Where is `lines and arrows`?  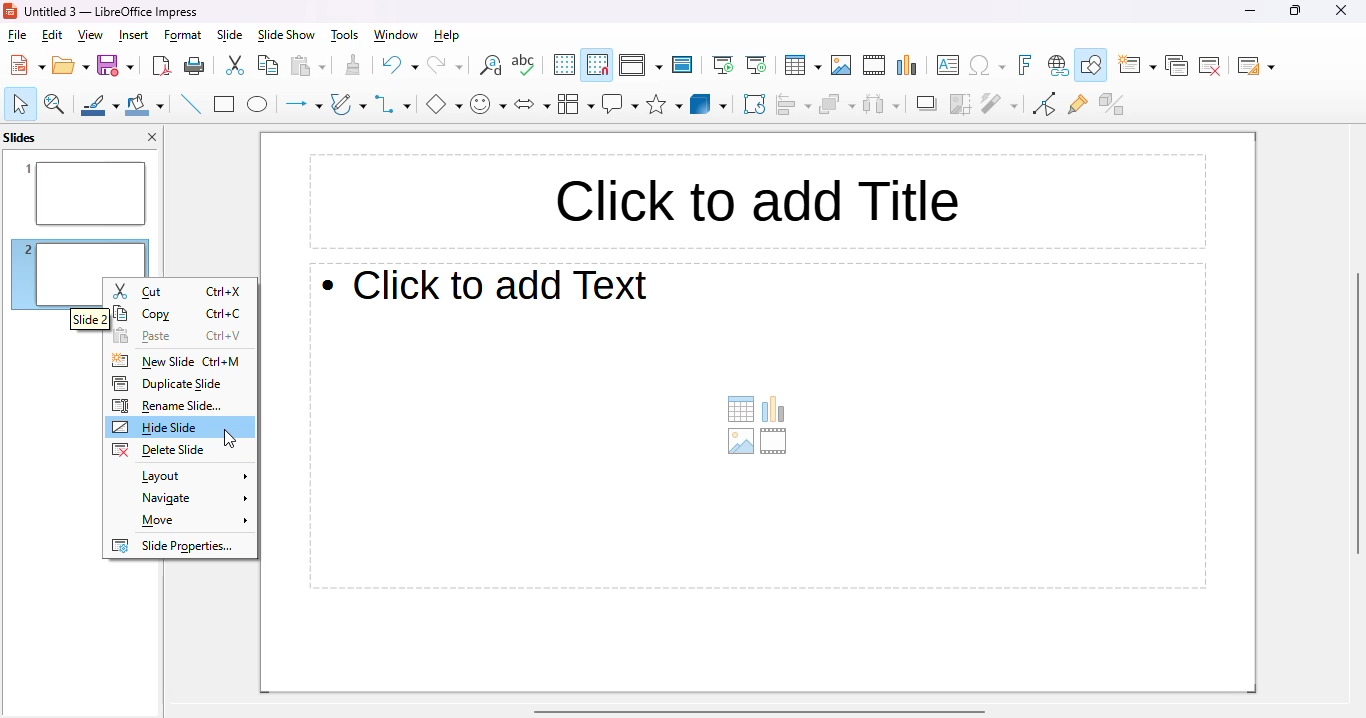
lines and arrows is located at coordinates (303, 105).